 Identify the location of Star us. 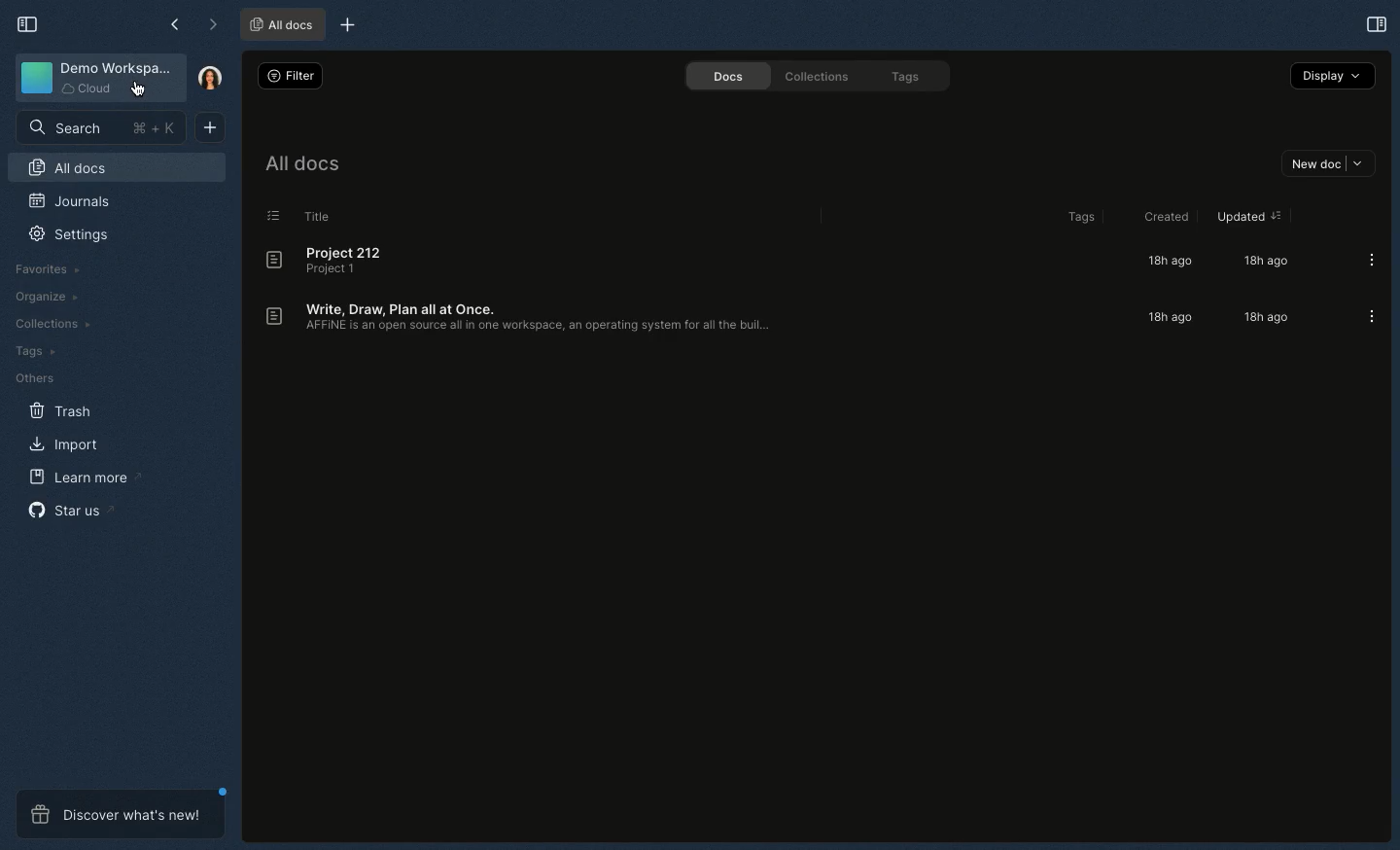
(70, 510).